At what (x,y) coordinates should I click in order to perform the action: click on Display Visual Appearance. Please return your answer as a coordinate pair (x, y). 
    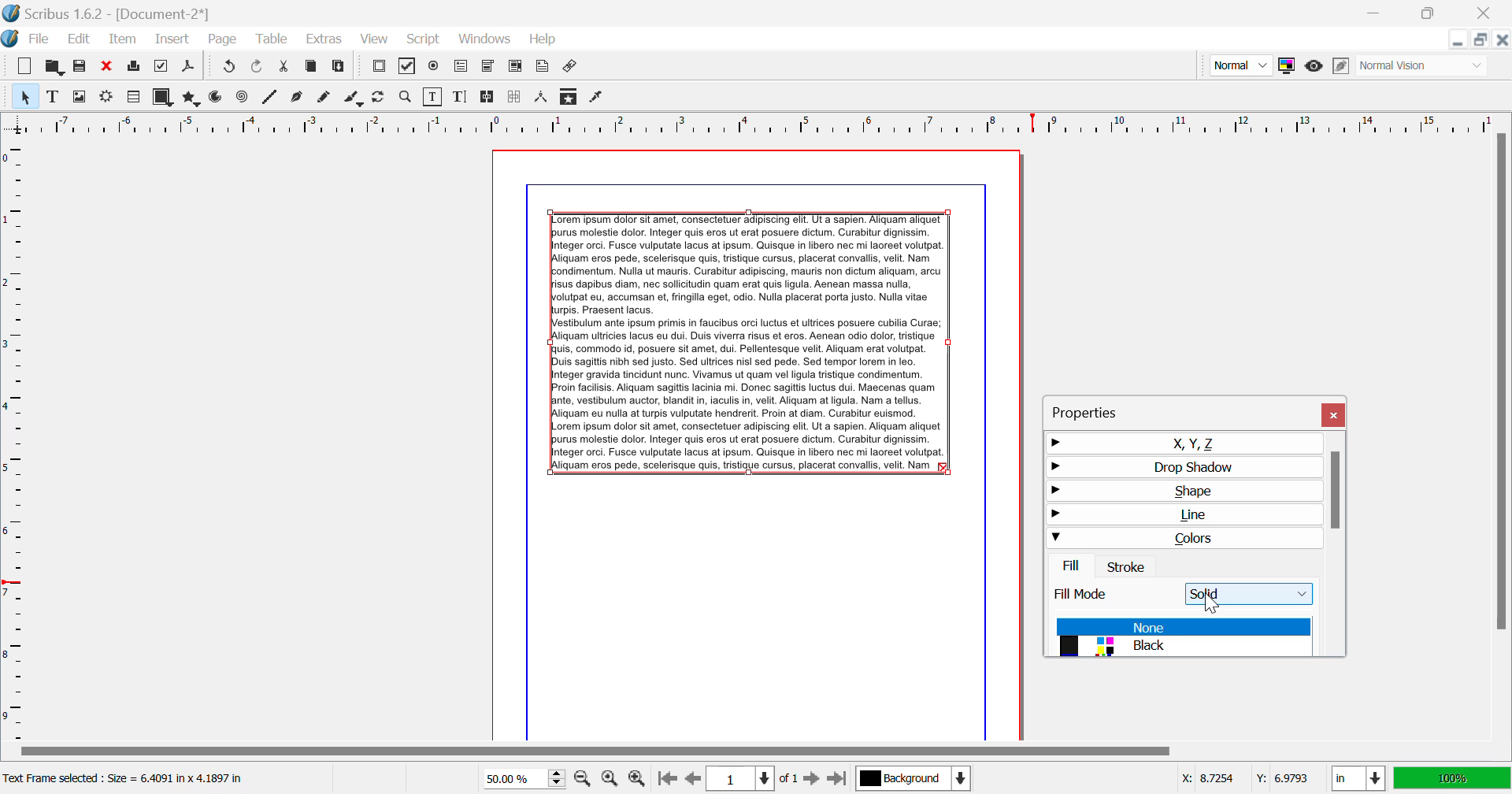
    Looking at the image, I should click on (1424, 65).